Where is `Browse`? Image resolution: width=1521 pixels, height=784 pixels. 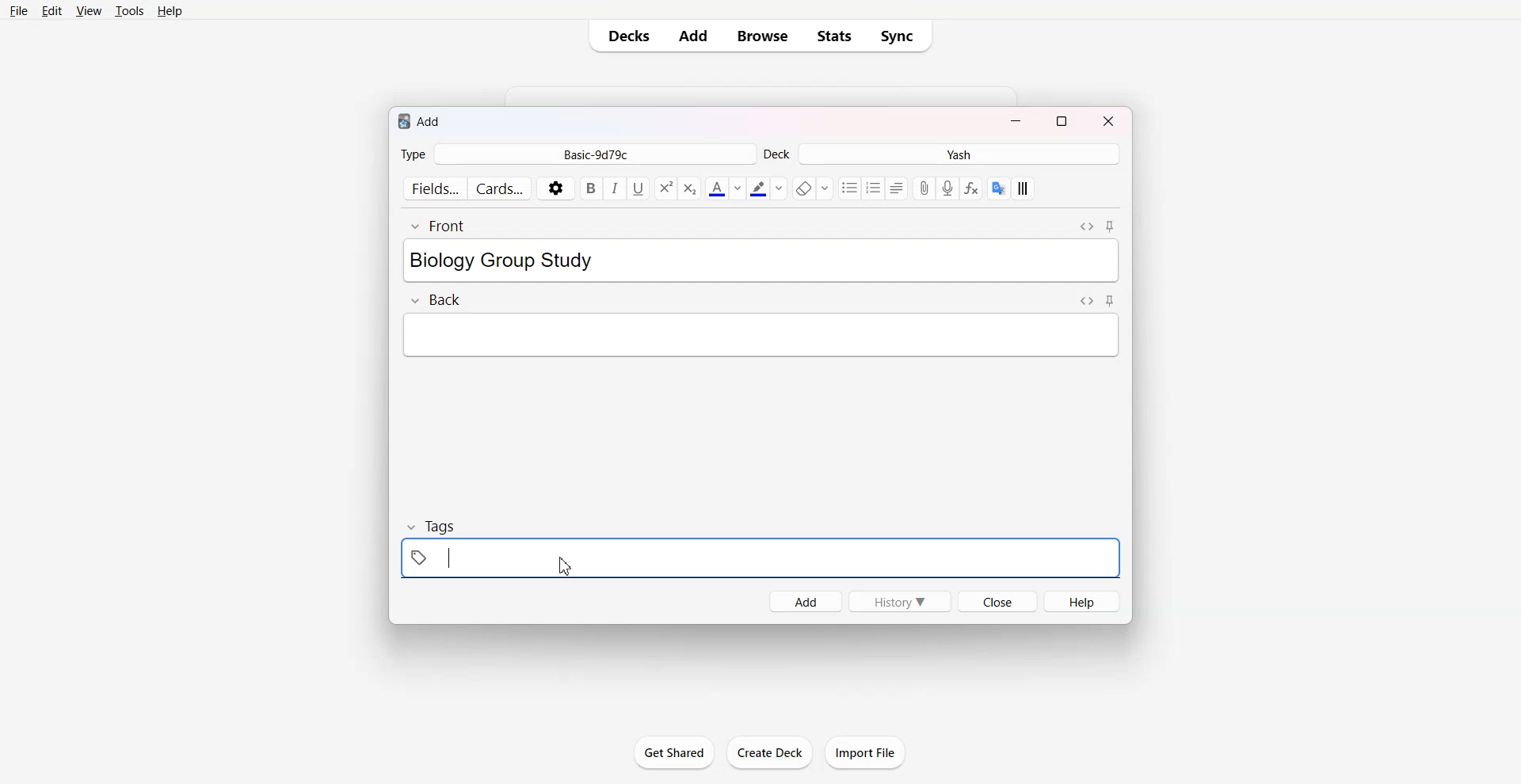 Browse is located at coordinates (760, 36).